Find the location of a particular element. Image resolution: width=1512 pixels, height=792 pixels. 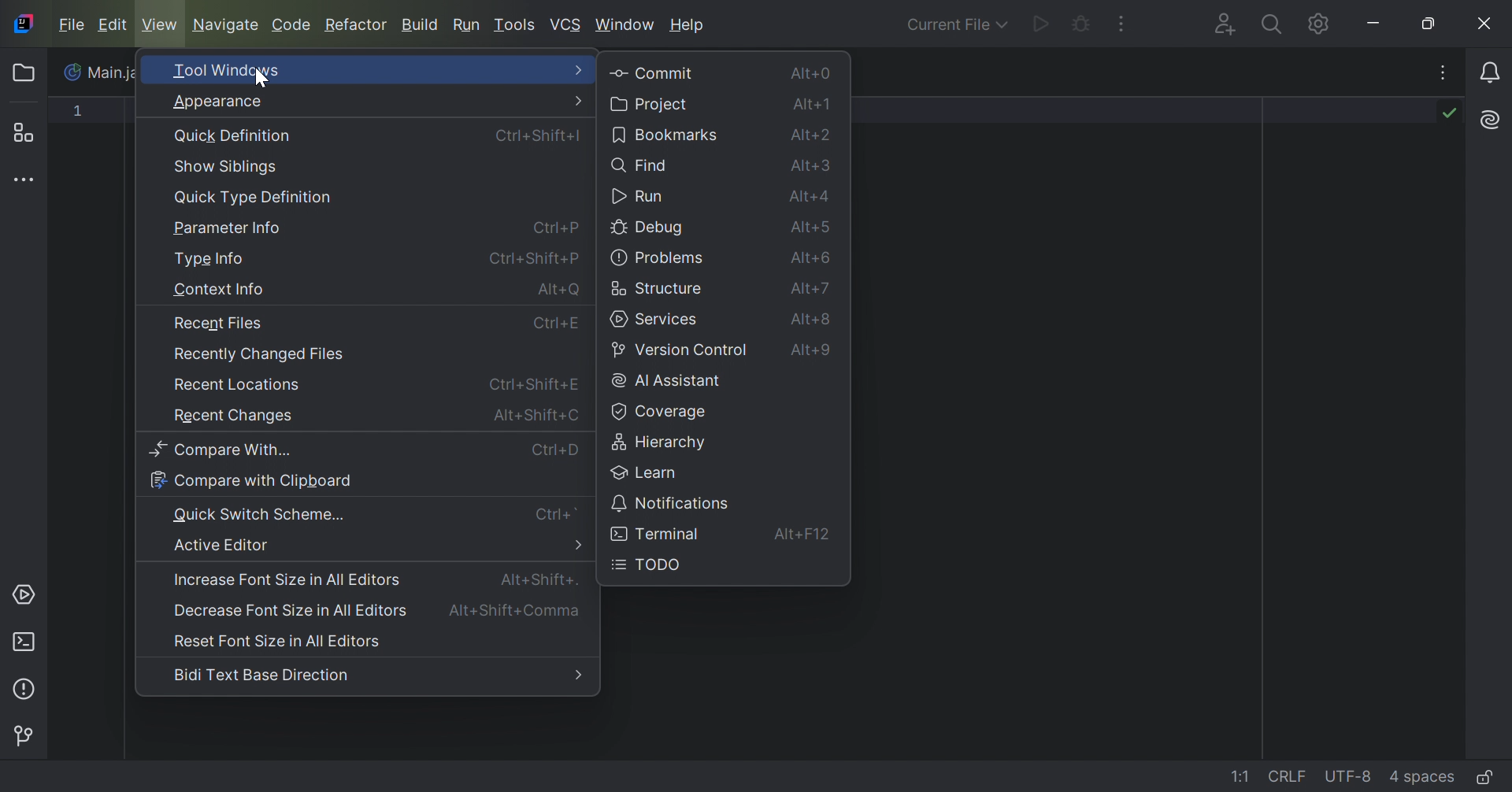

Close is located at coordinates (1486, 24).